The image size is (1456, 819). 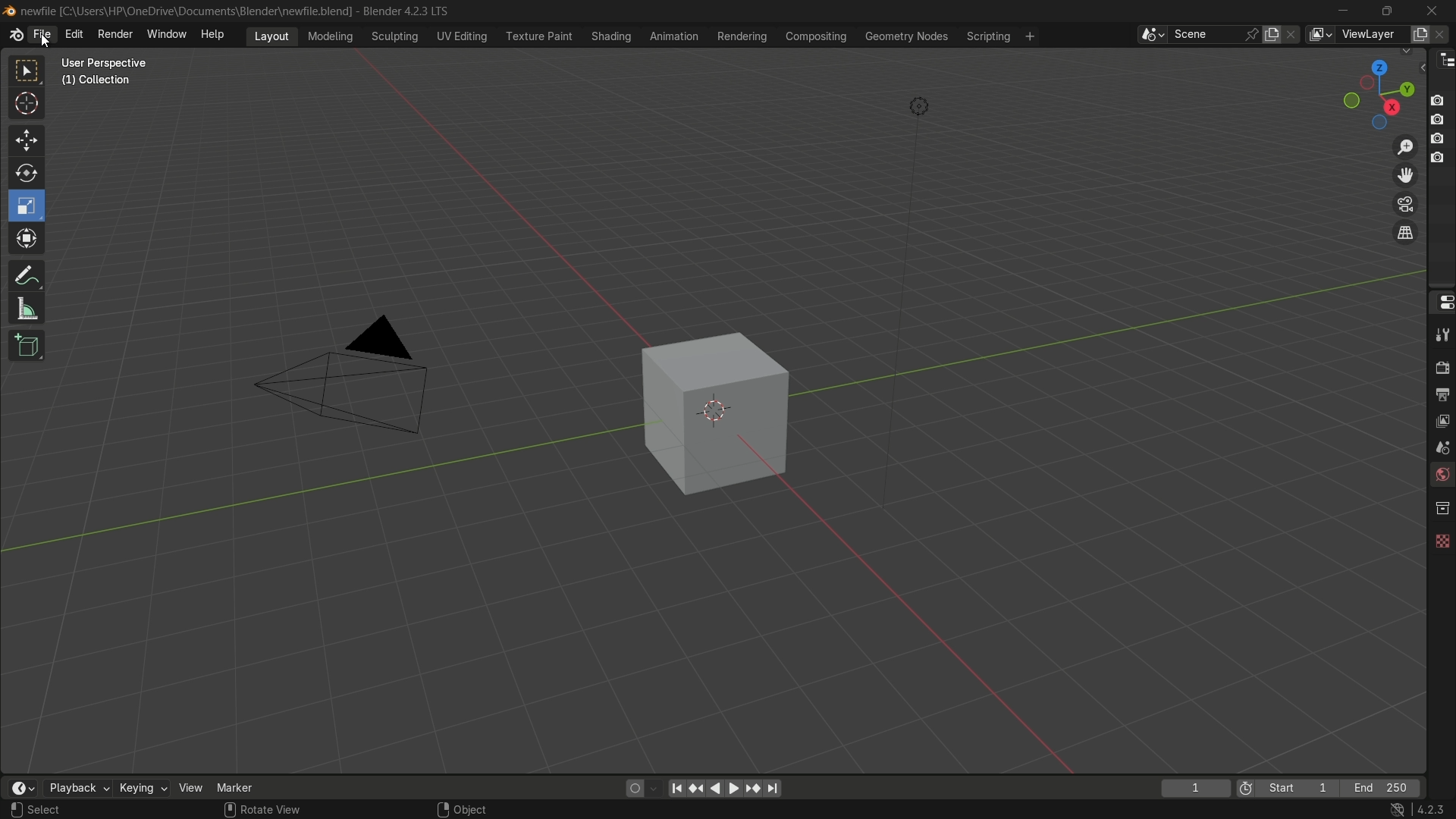 I want to click on Collection, so click(x=99, y=83).